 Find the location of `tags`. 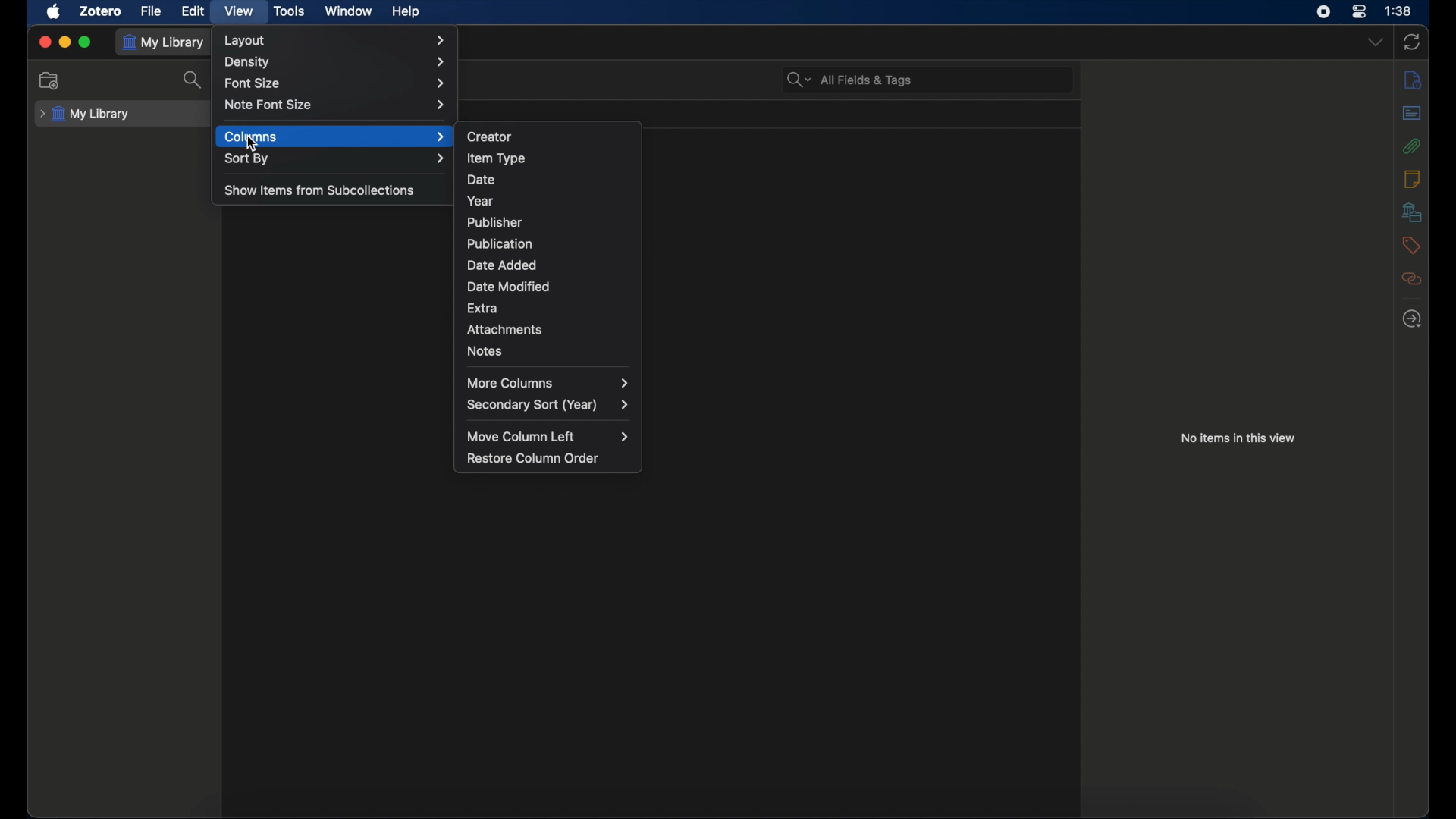

tags is located at coordinates (1412, 245).